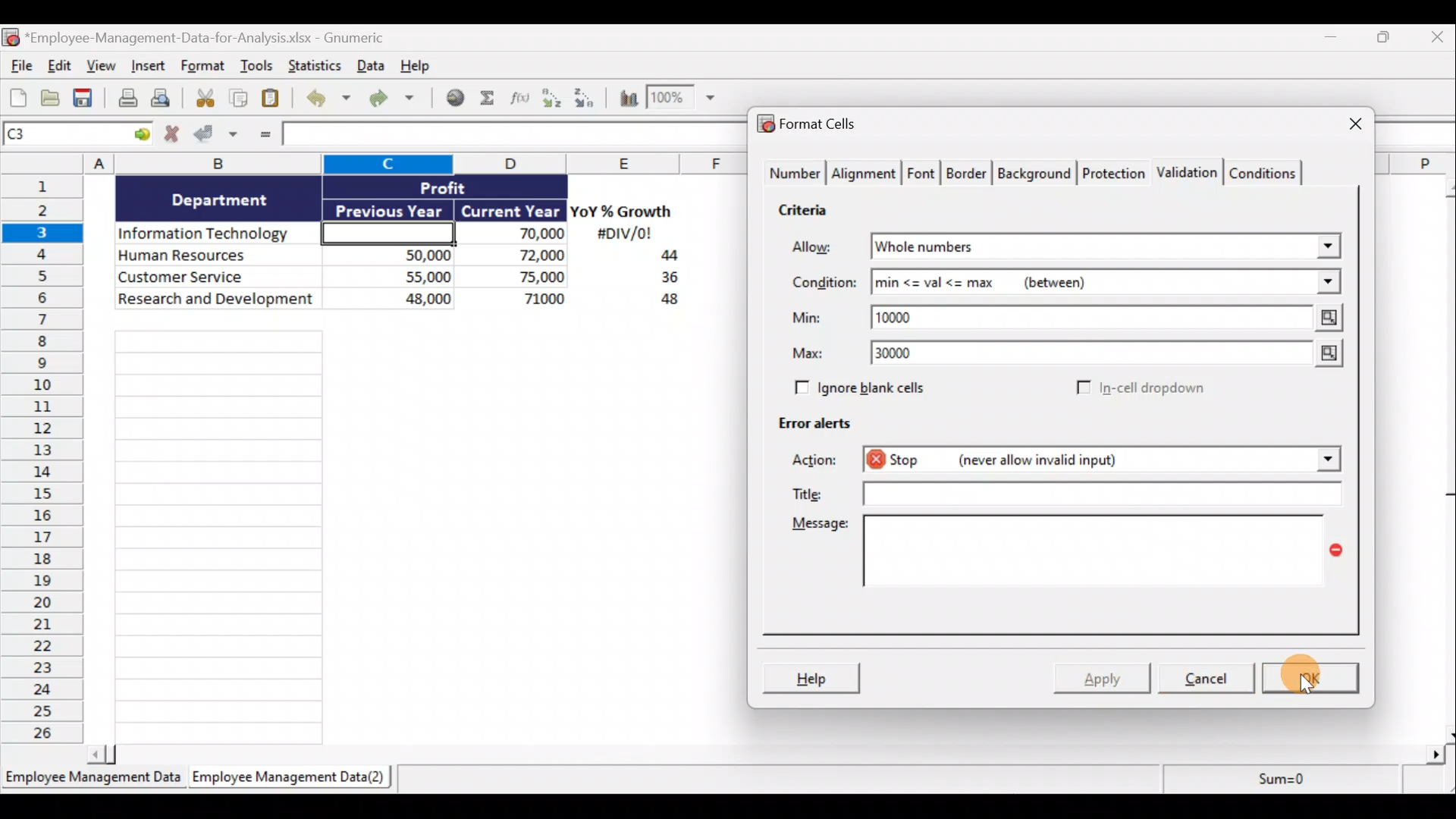 Image resolution: width=1456 pixels, height=819 pixels. What do you see at coordinates (10, 37) in the screenshot?
I see `Gnumeric logo` at bounding box center [10, 37].